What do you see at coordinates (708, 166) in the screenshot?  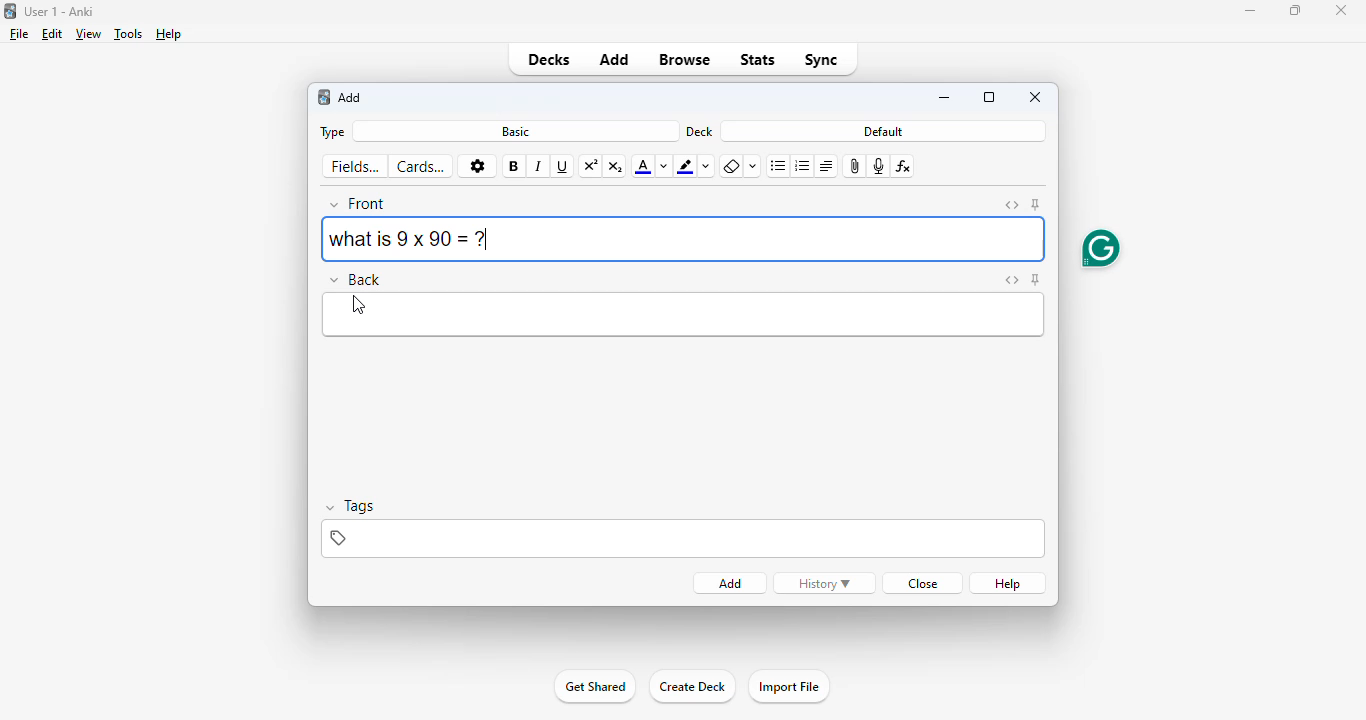 I see `change color` at bounding box center [708, 166].